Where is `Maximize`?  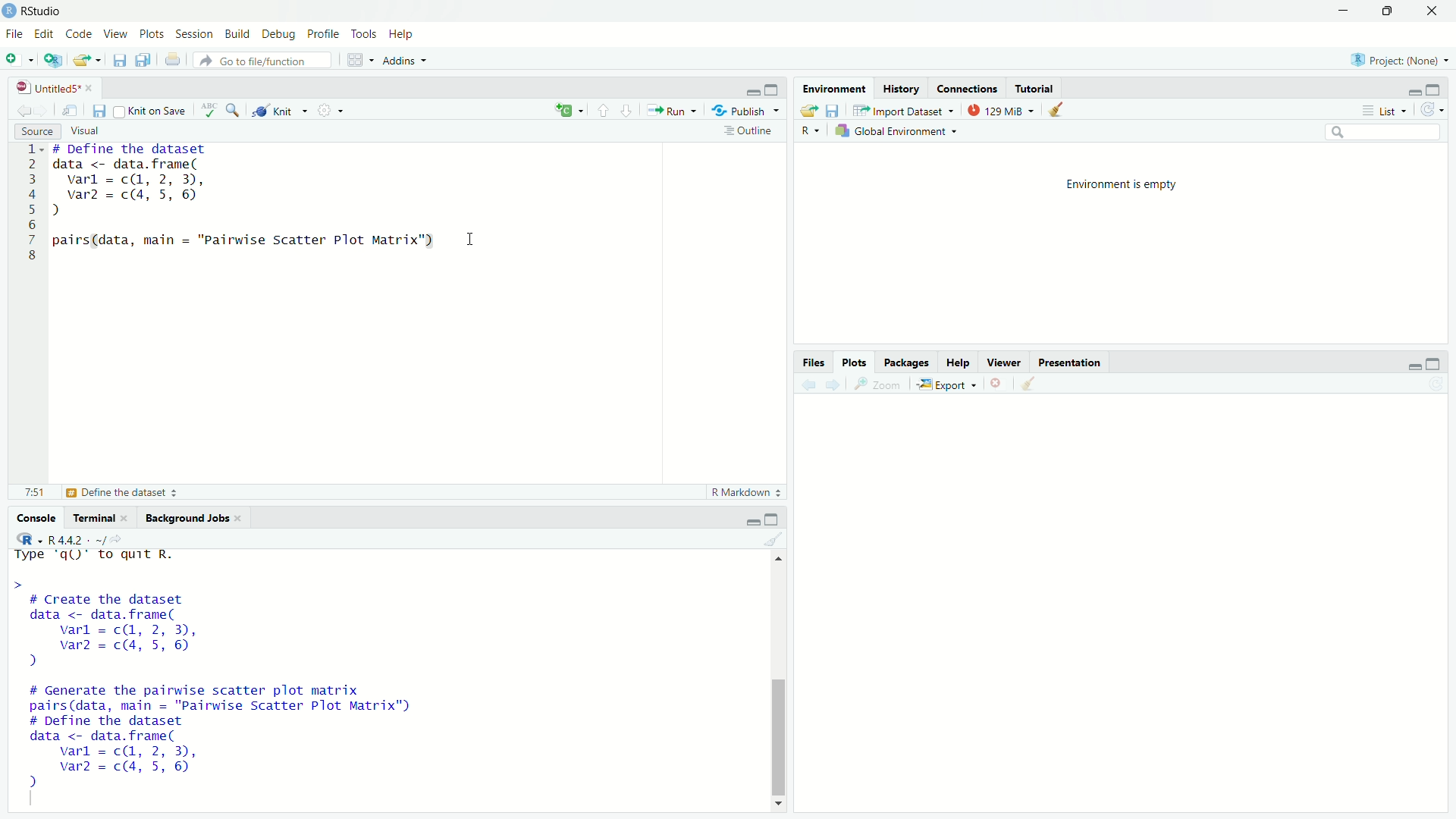
Maximize is located at coordinates (1434, 91).